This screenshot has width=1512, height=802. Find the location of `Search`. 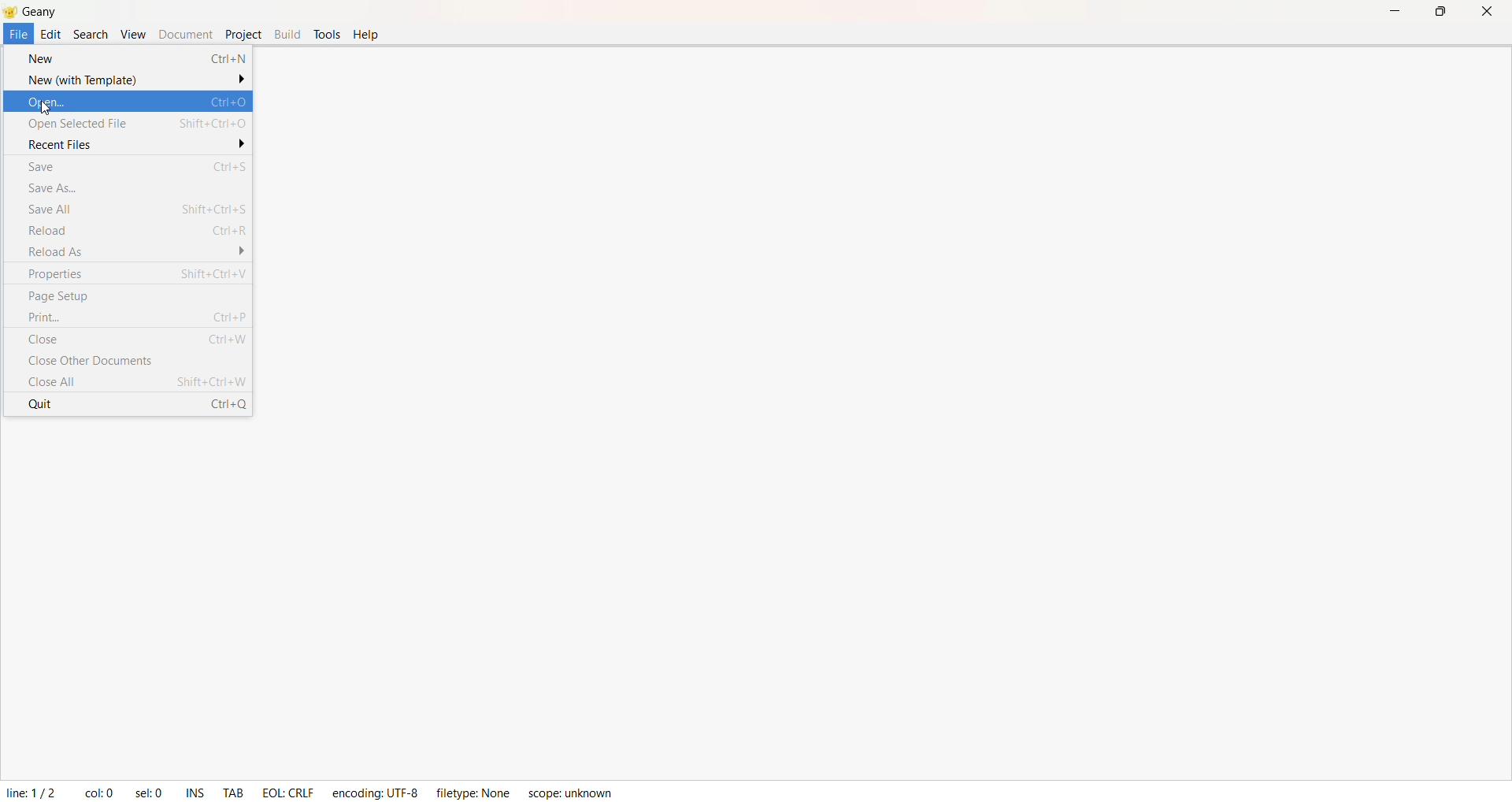

Search is located at coordinates (91, 36).